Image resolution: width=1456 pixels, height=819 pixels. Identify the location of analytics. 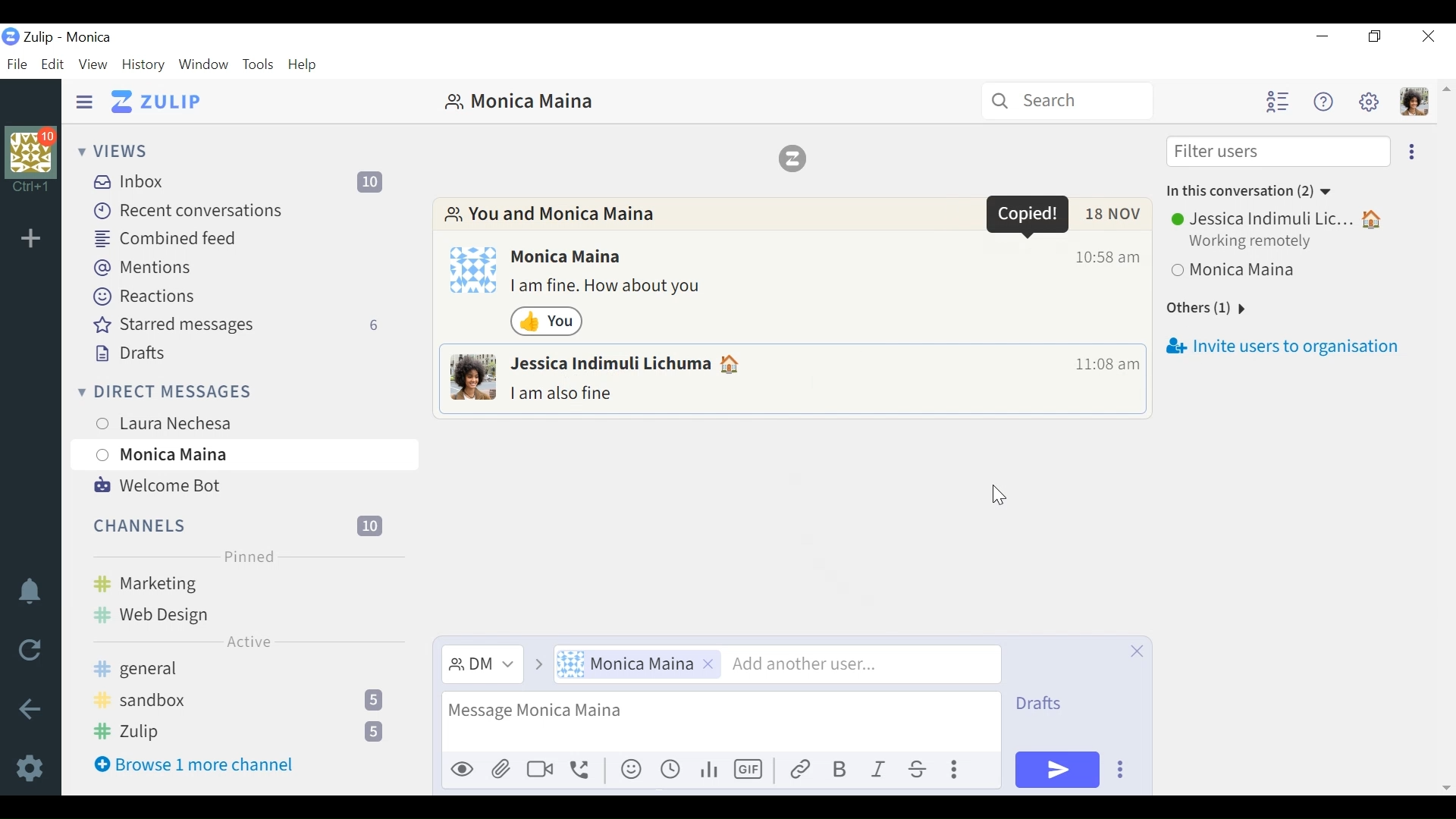
(709, 770).